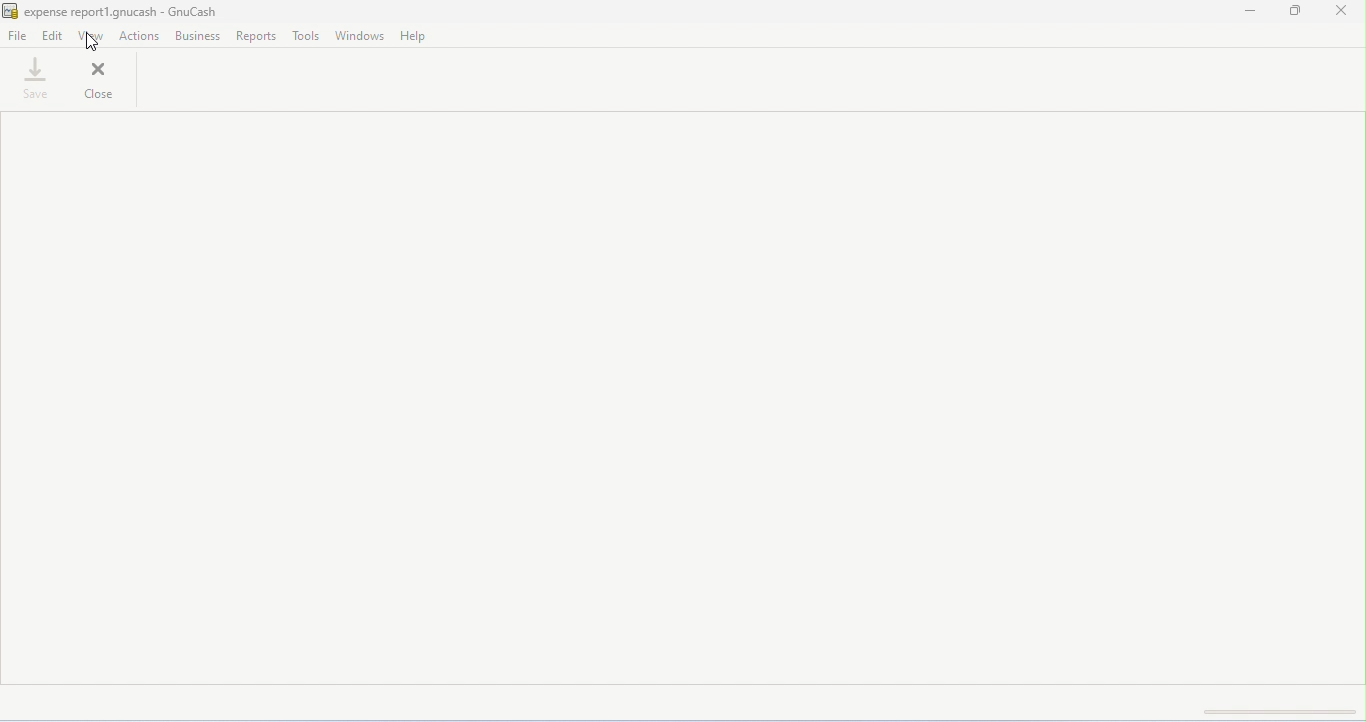  Describe the element at coordinates (91, 35) in the screenshot. I see `view` at that location.